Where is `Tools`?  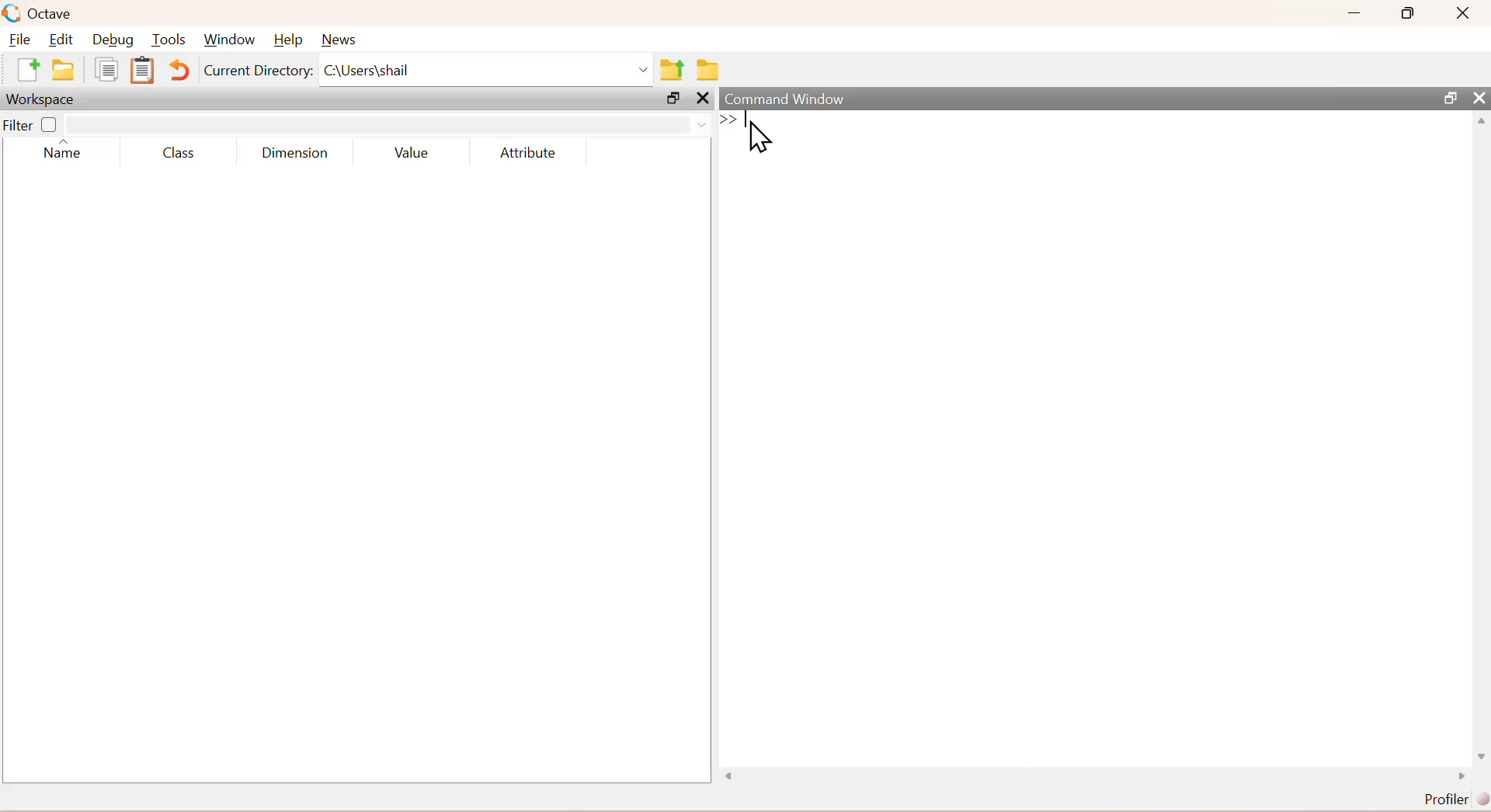 Tools is located at coordinates (171, 39).